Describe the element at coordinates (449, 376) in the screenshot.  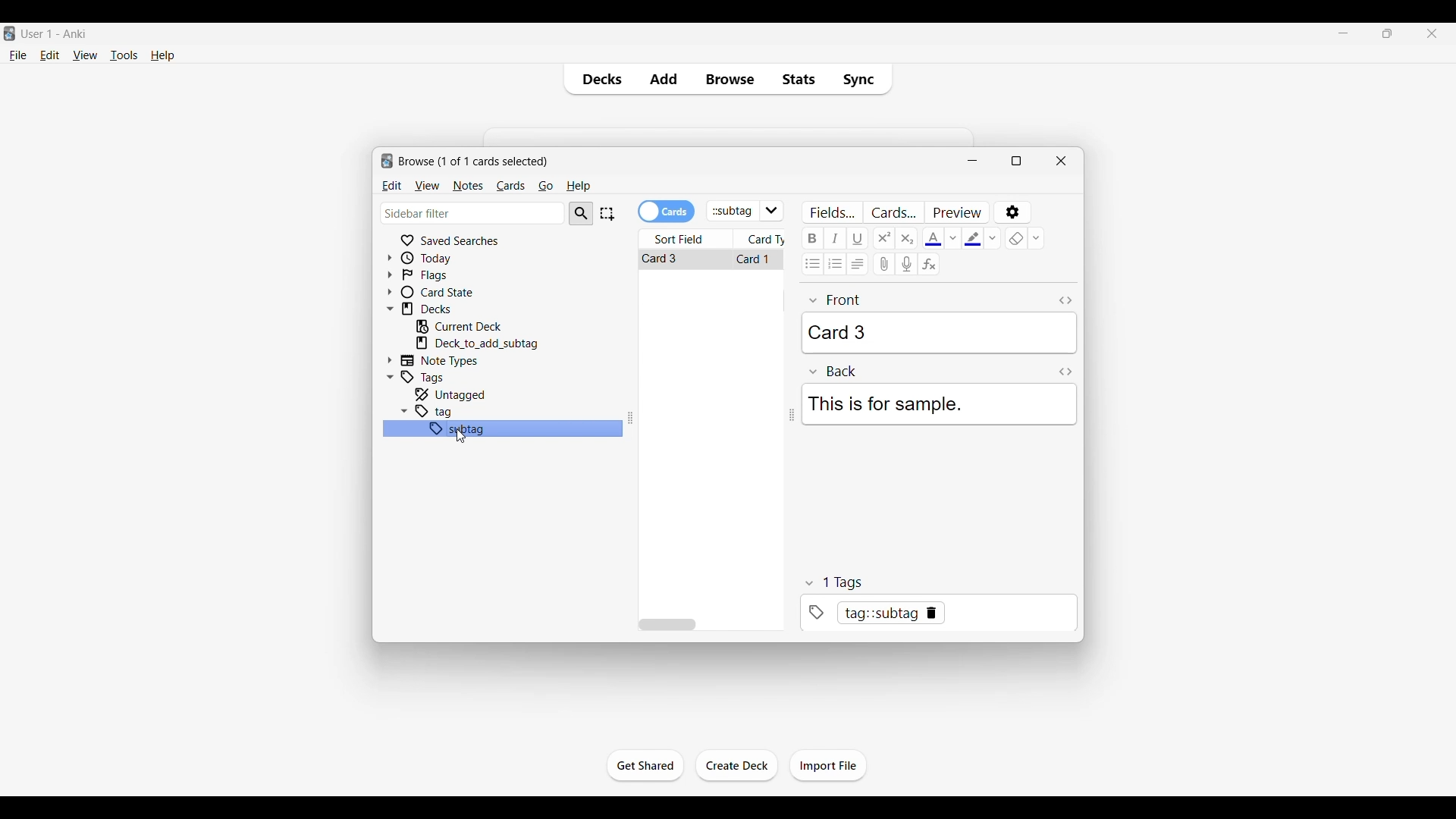
I see `Click to go to tags` at that location.